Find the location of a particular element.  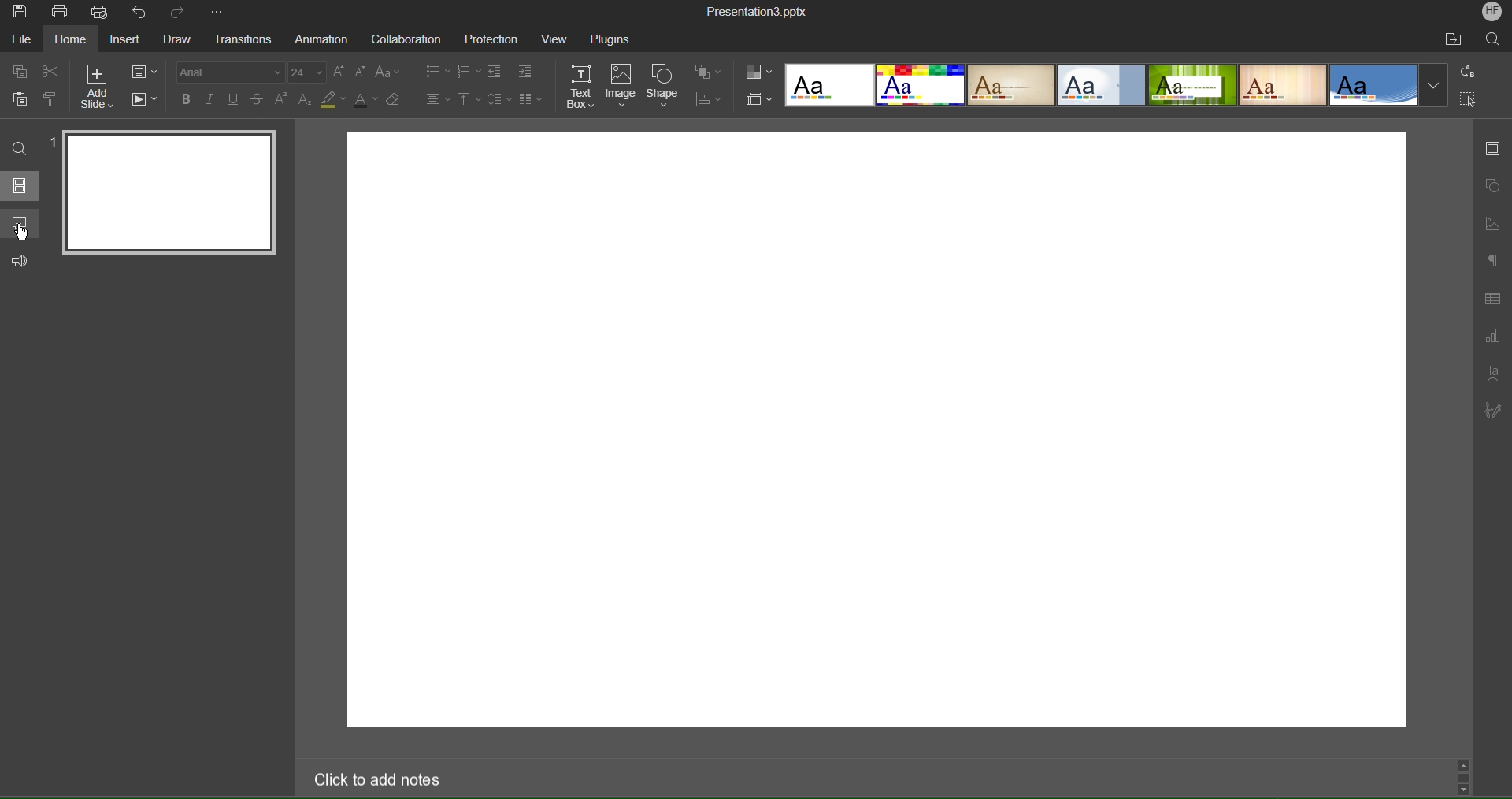

Comments is located at coordinates (20, 222).